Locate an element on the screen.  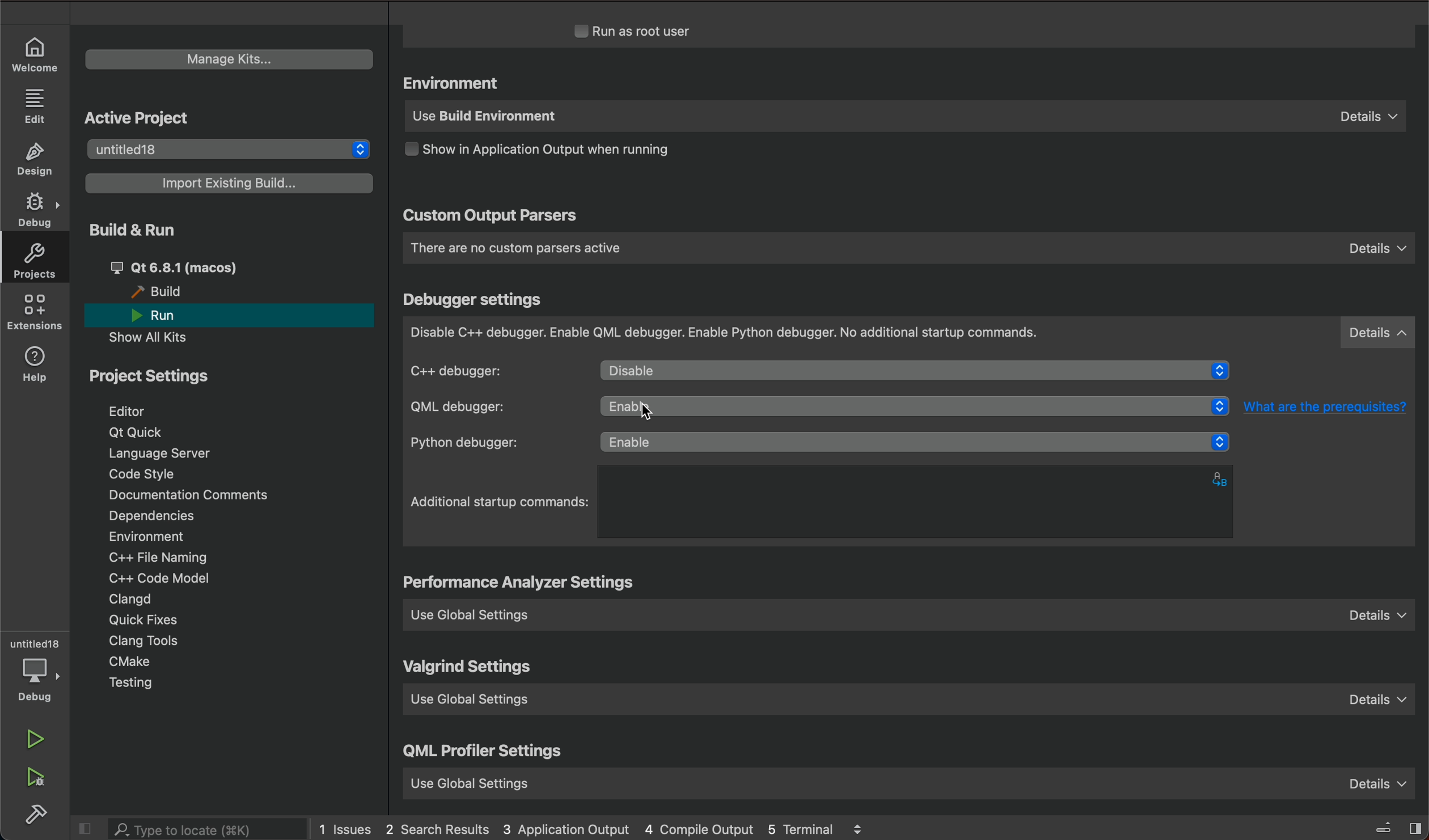
output is located at coordinates (557, 152).